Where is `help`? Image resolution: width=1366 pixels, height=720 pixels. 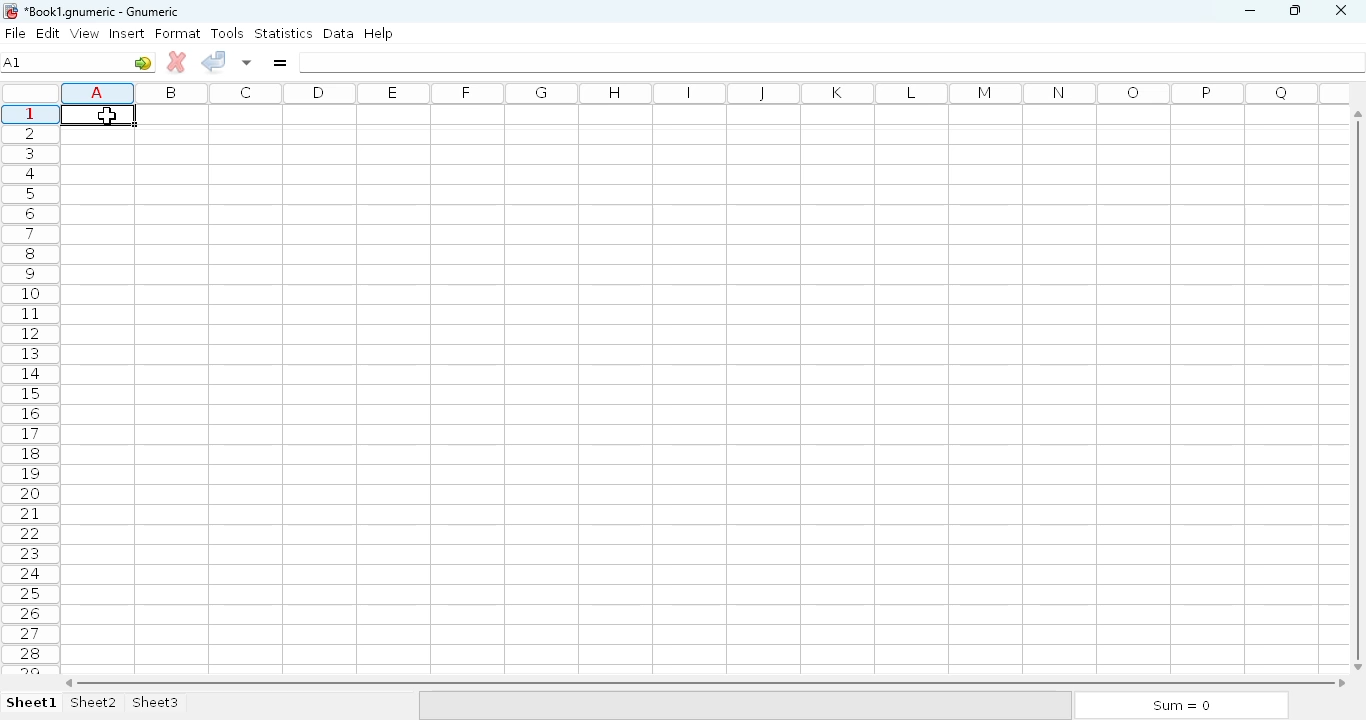
help is located at coordinates (378, 34).